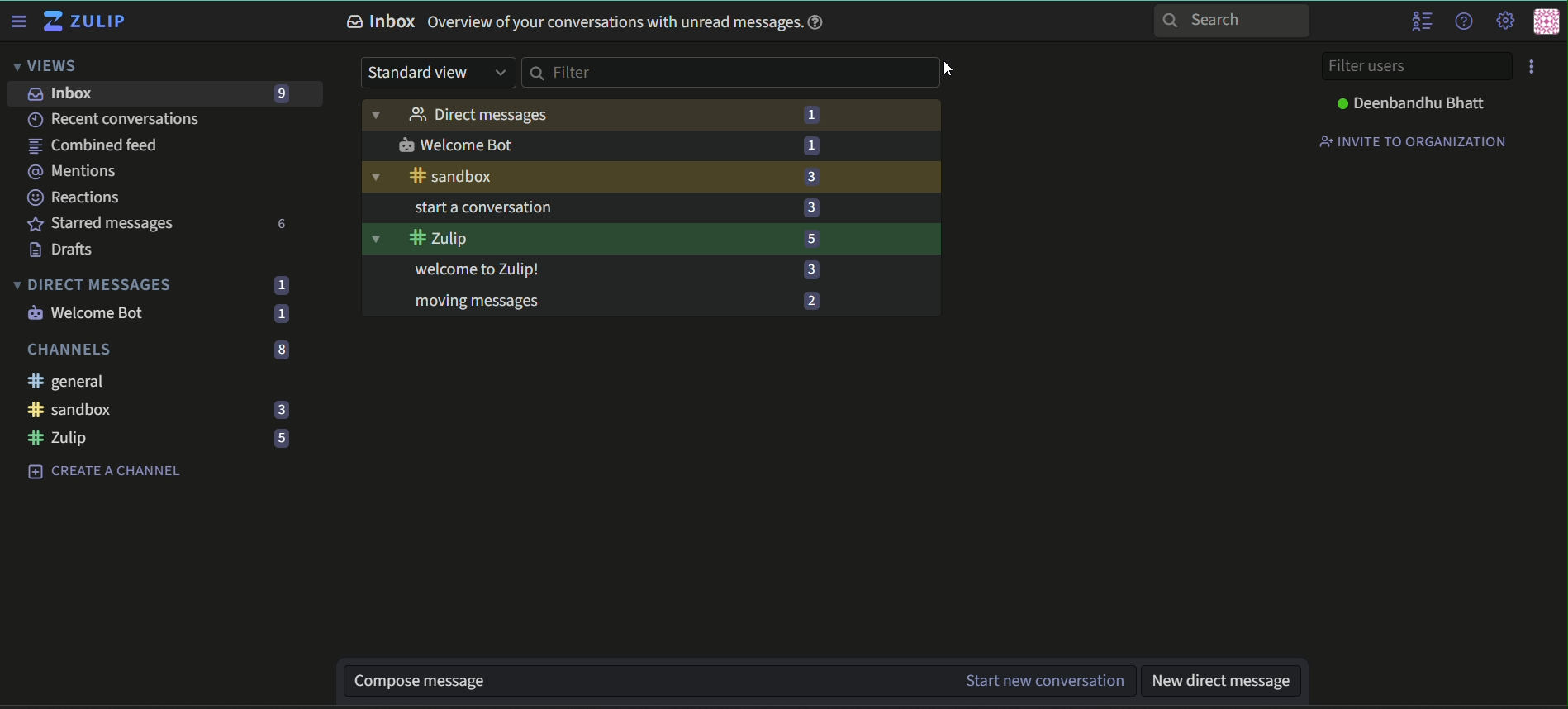 This screenshot has width=1568, height=709. I want to click on Welcome Bot, so click(88, 314).